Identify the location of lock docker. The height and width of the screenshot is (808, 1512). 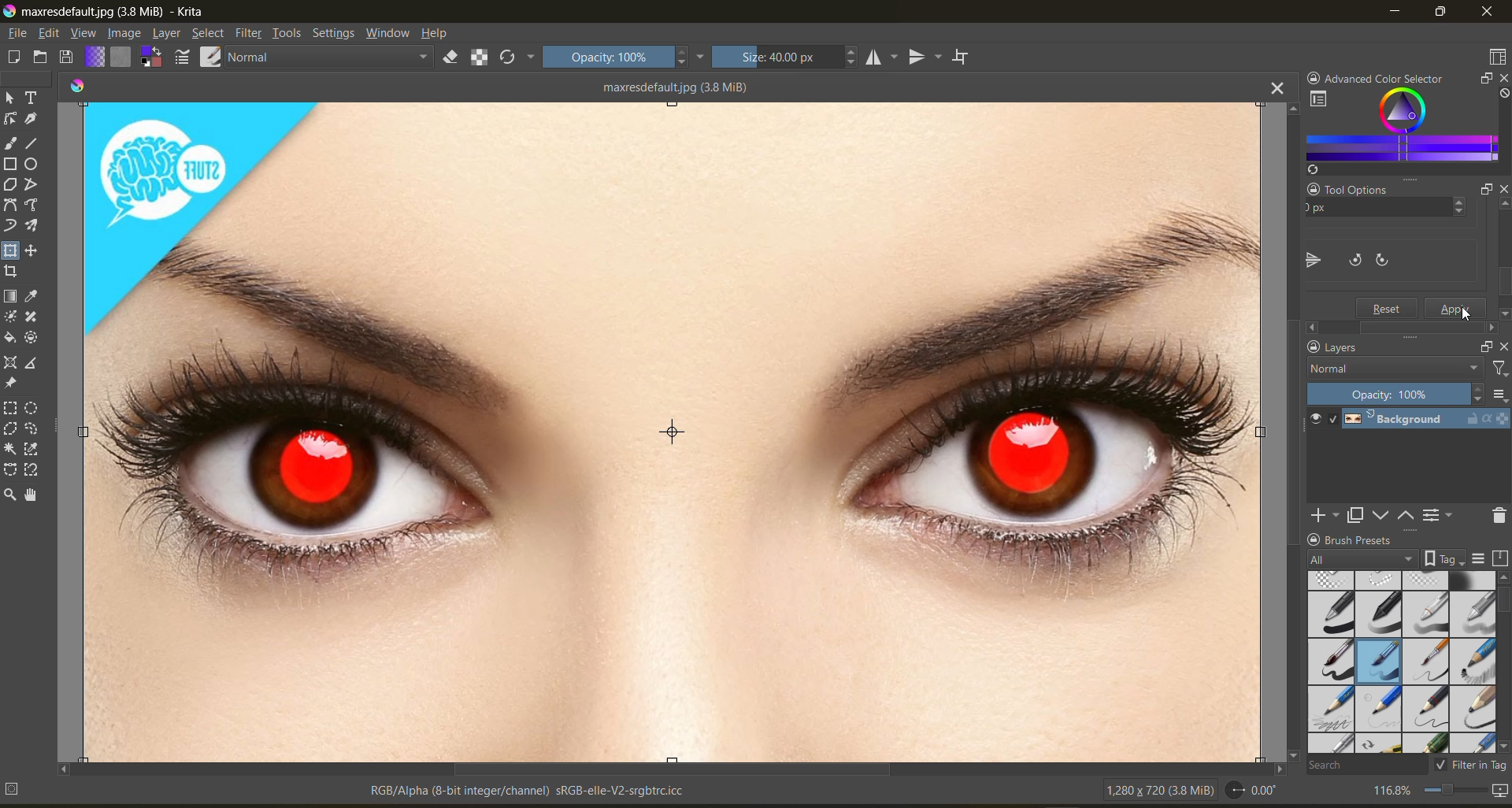
(1314, 539).